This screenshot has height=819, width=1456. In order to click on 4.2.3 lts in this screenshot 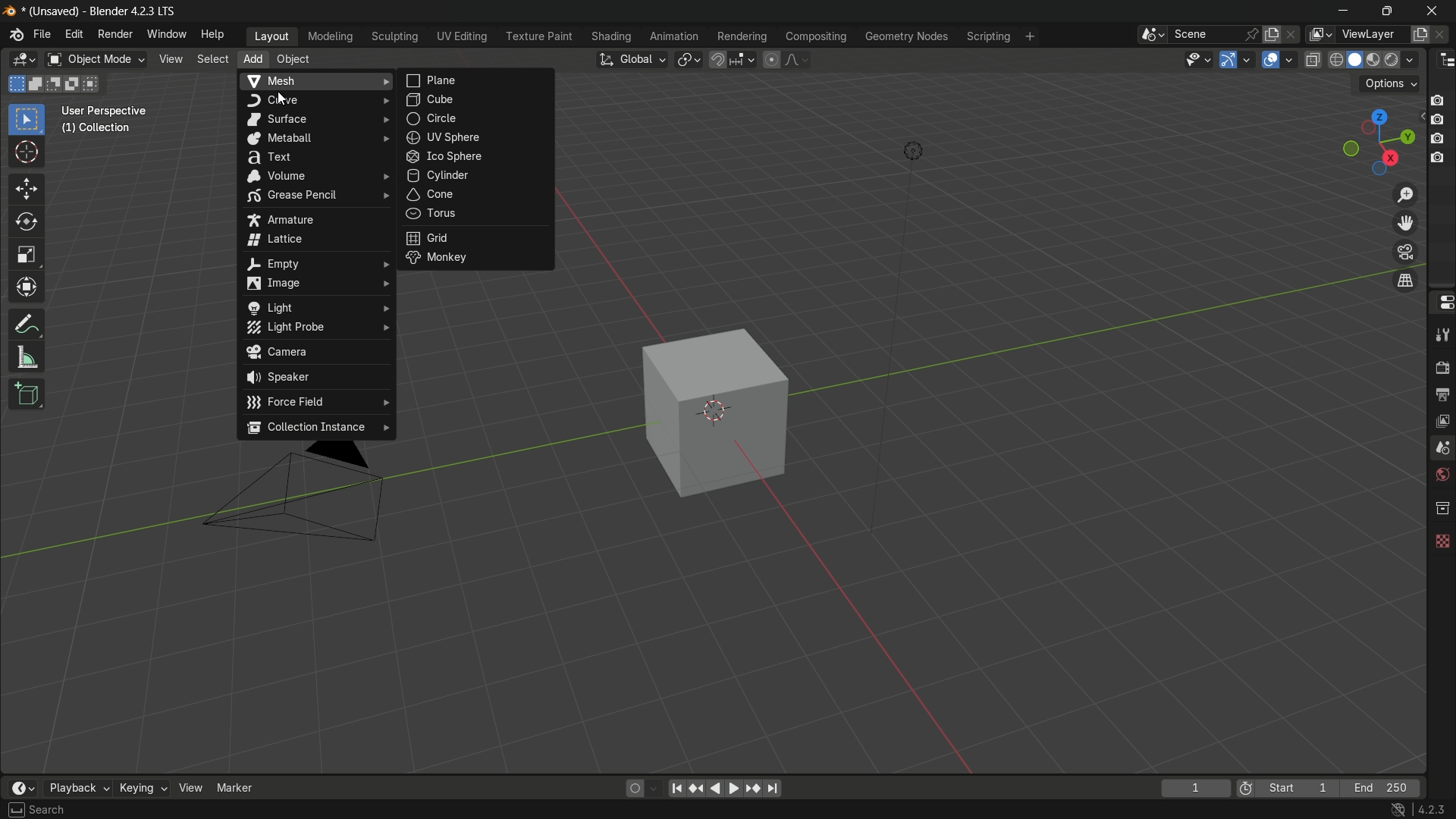, I will do `click(1419, 810)`.